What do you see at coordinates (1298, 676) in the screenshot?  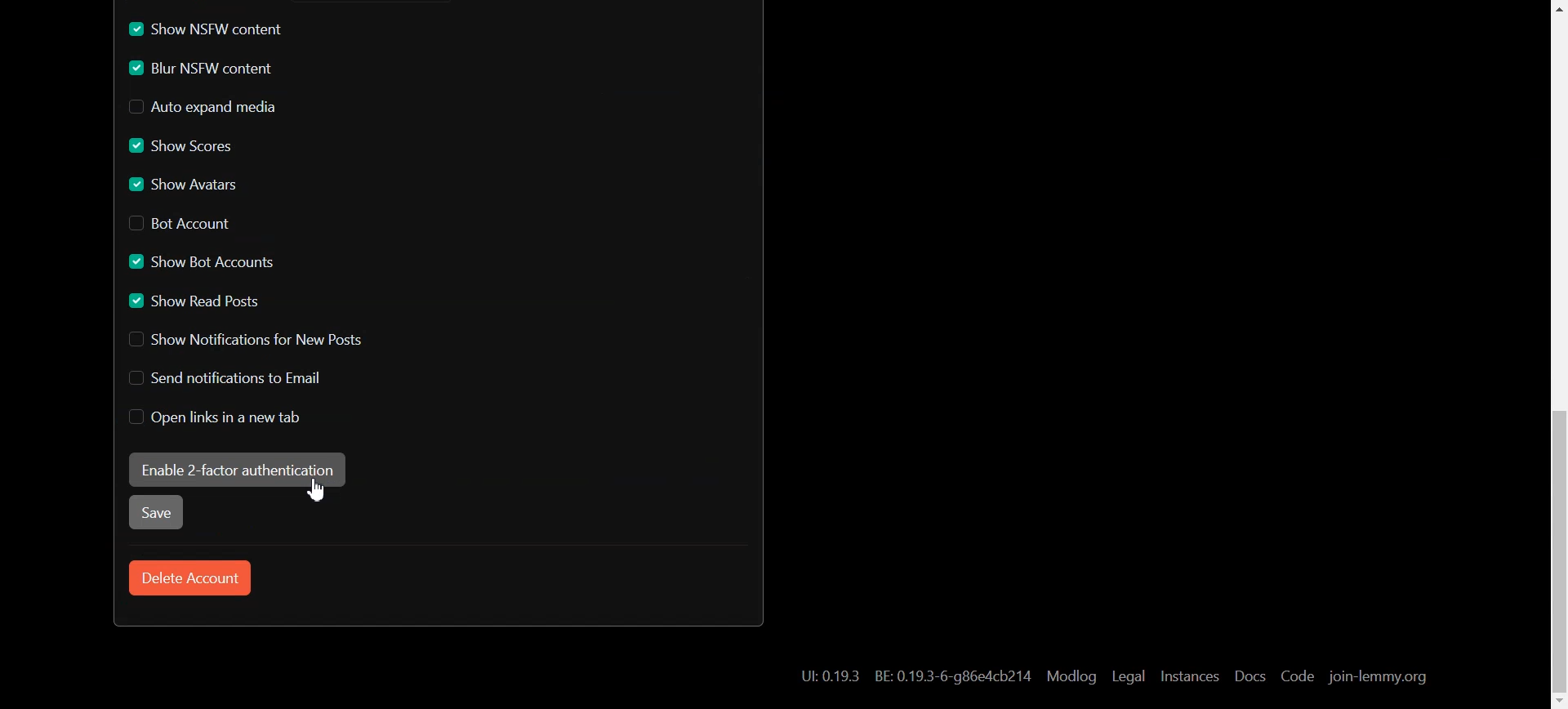 I see `Code` at bounding box center [1298, 676].